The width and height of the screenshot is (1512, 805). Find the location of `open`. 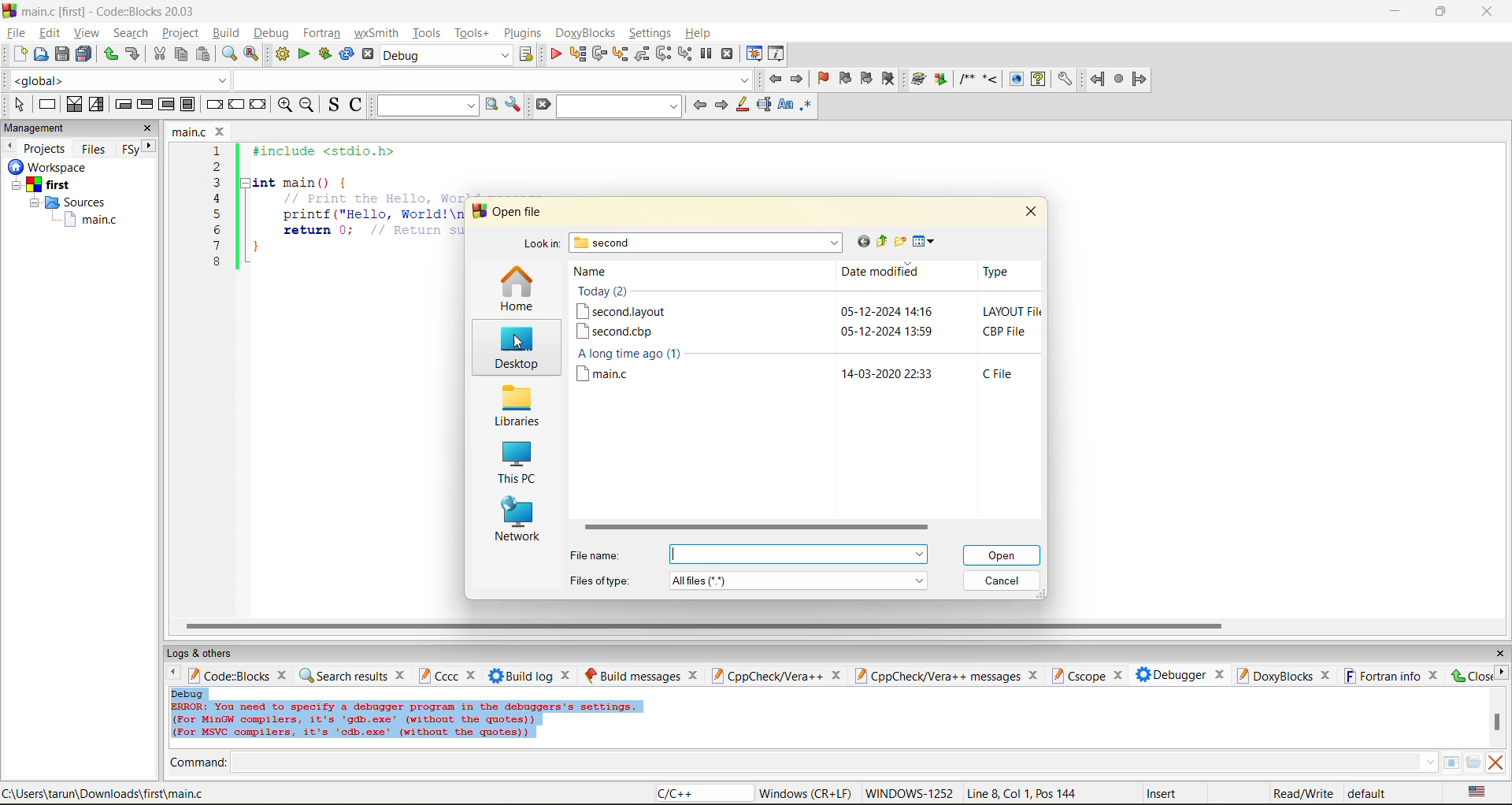

open is located at coordinates (42, 54).